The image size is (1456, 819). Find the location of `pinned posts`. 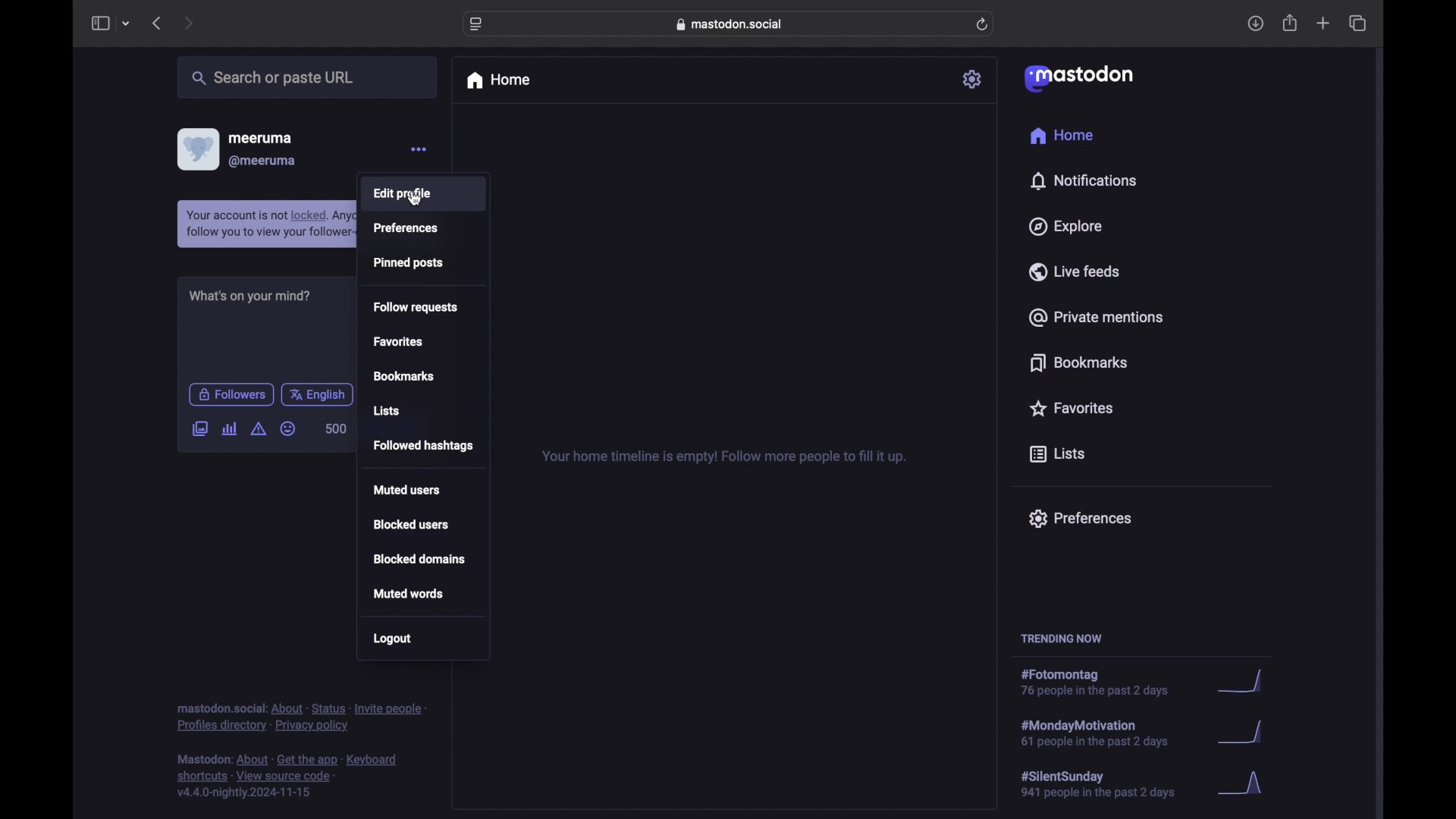

pinned posts is located at coordinates (409, 262).